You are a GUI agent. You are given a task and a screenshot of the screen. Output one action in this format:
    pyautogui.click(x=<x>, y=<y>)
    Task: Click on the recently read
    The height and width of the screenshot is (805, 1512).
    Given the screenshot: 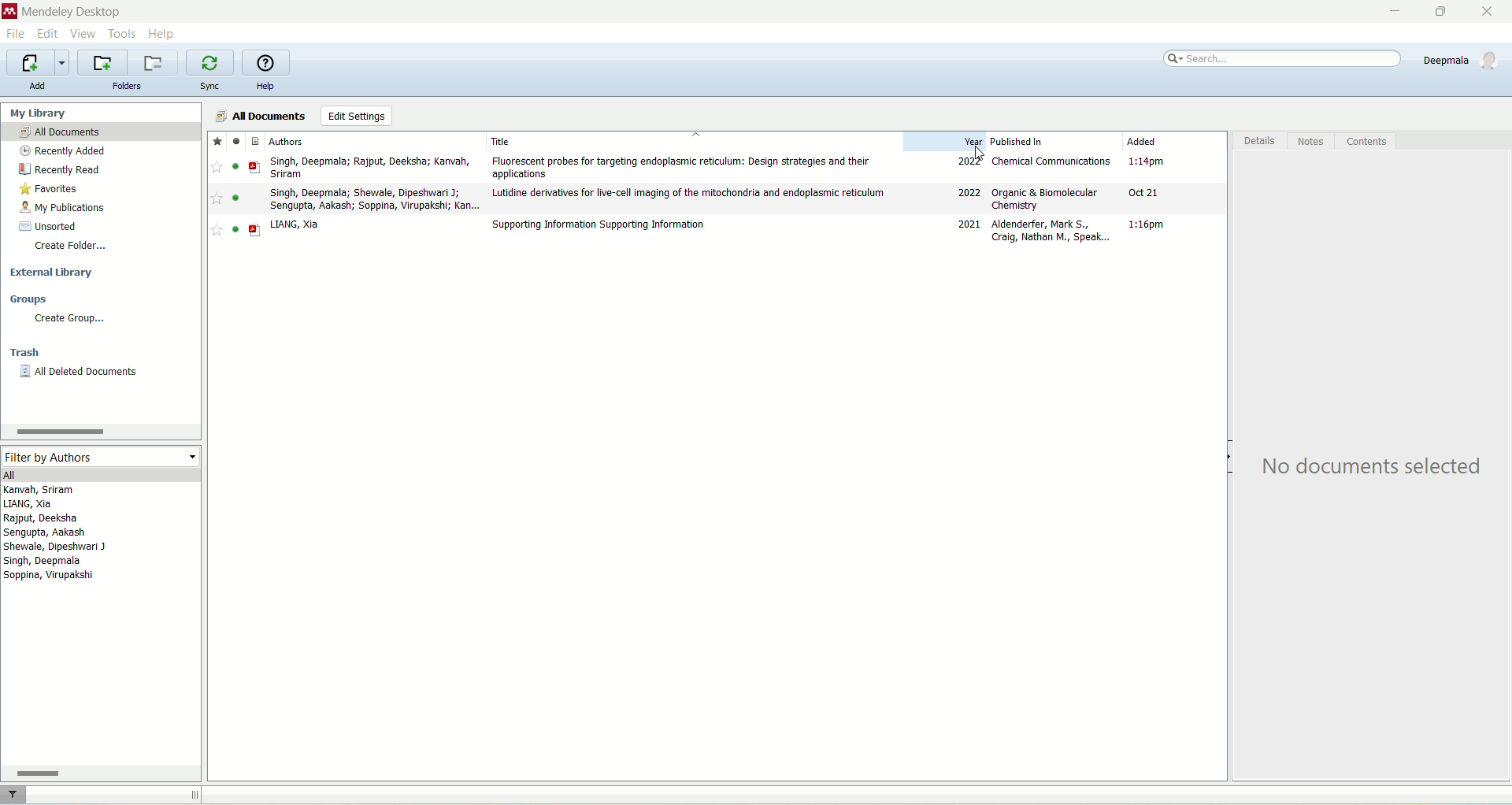 What is the action you would take?
    pyautogui.click(x=61, y=171)
    